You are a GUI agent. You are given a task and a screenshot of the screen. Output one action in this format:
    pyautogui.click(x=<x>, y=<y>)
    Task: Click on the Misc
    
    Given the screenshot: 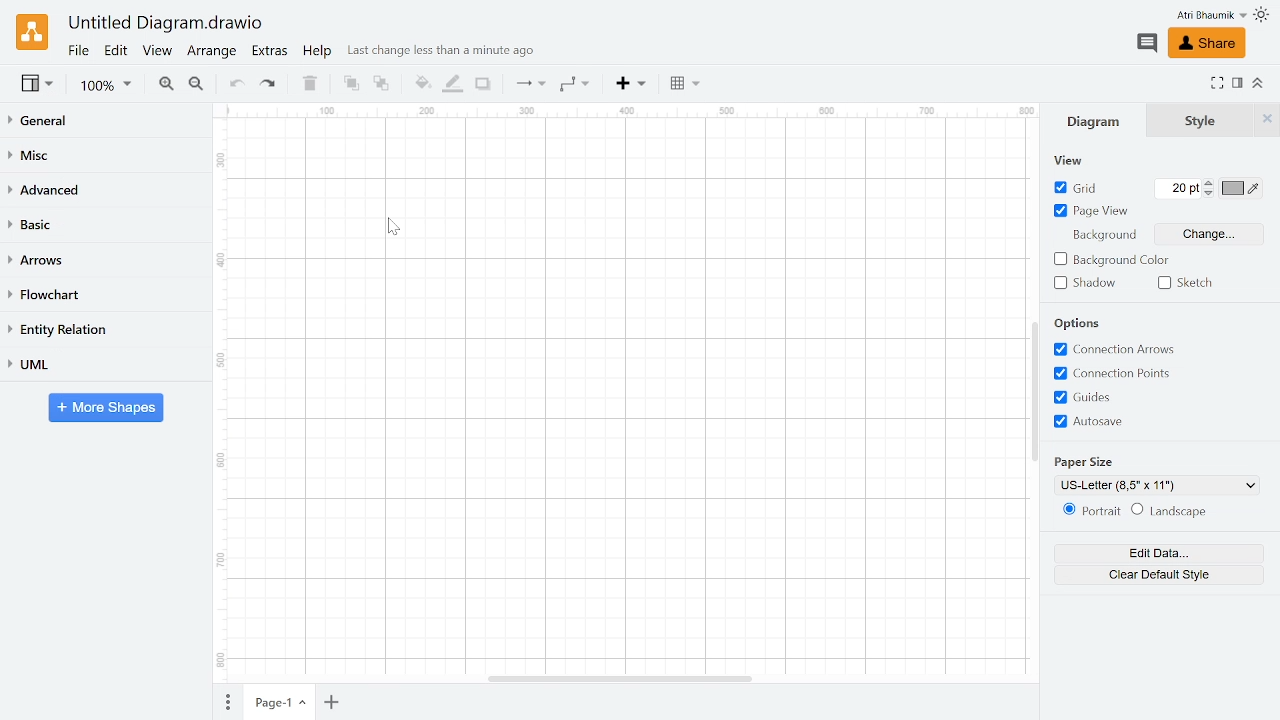 What is the action you would take?
    pyautogui.click(x=103, y=152)
    